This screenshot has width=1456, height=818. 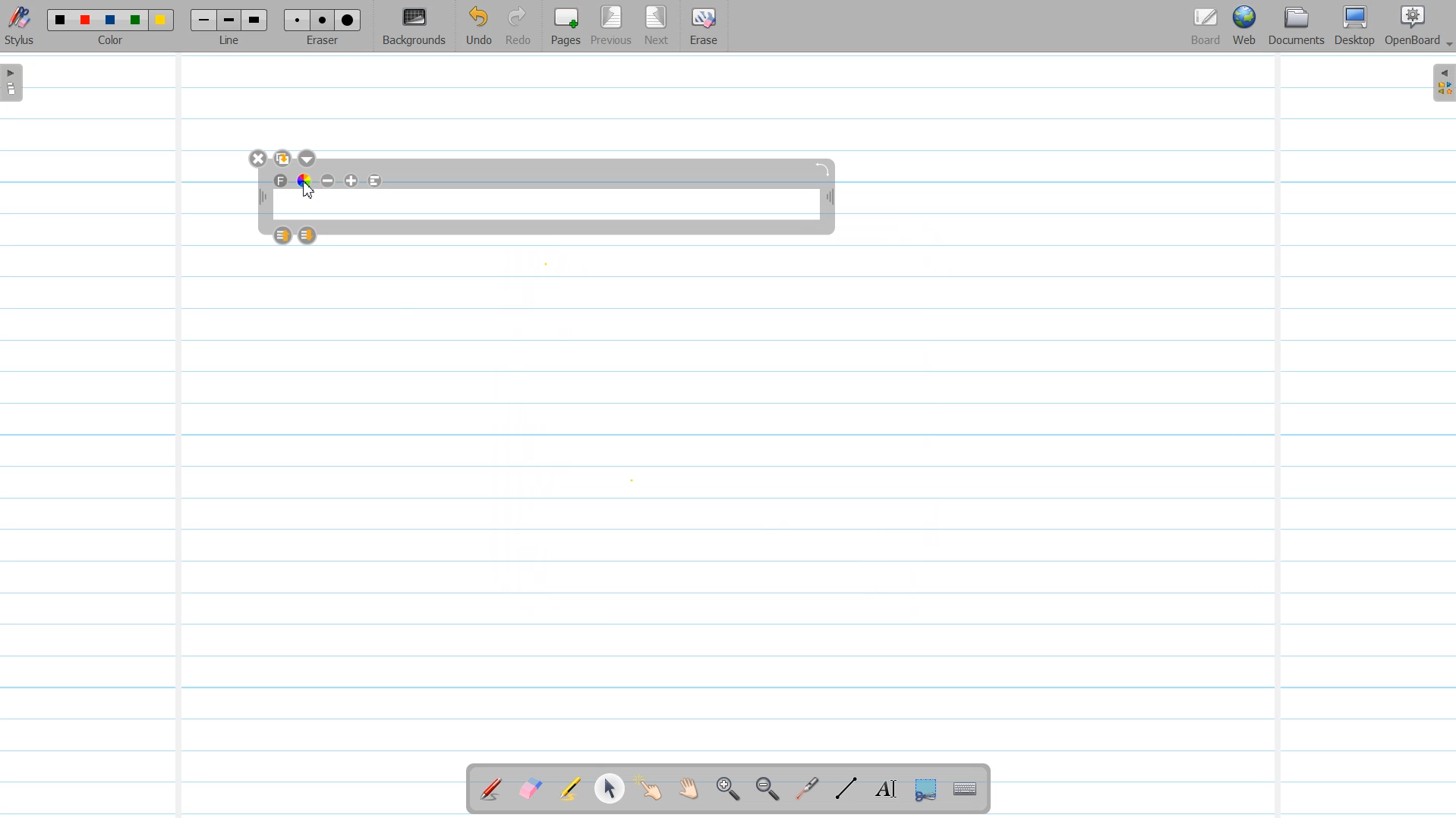 I want to click on Adjust width of text tool , so click(x=261, y=197).